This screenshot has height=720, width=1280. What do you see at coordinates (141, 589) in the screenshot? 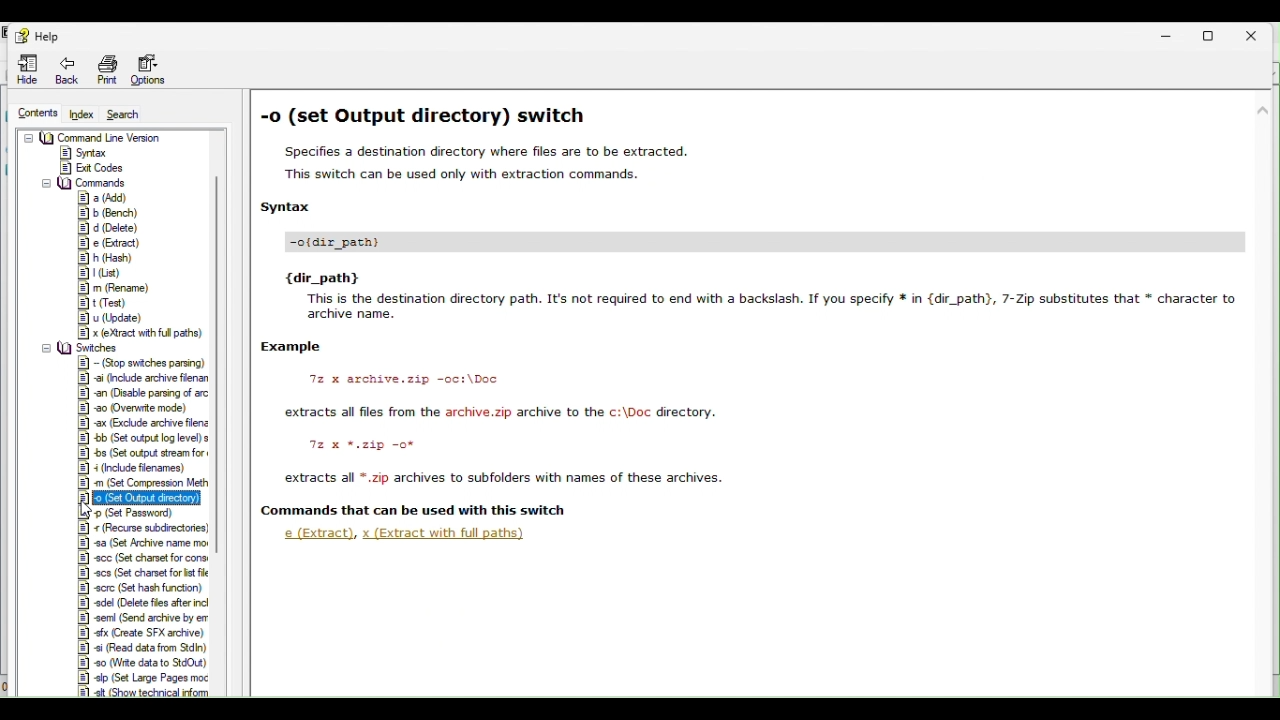
I see `That has function` at bounding box center [141, 589].